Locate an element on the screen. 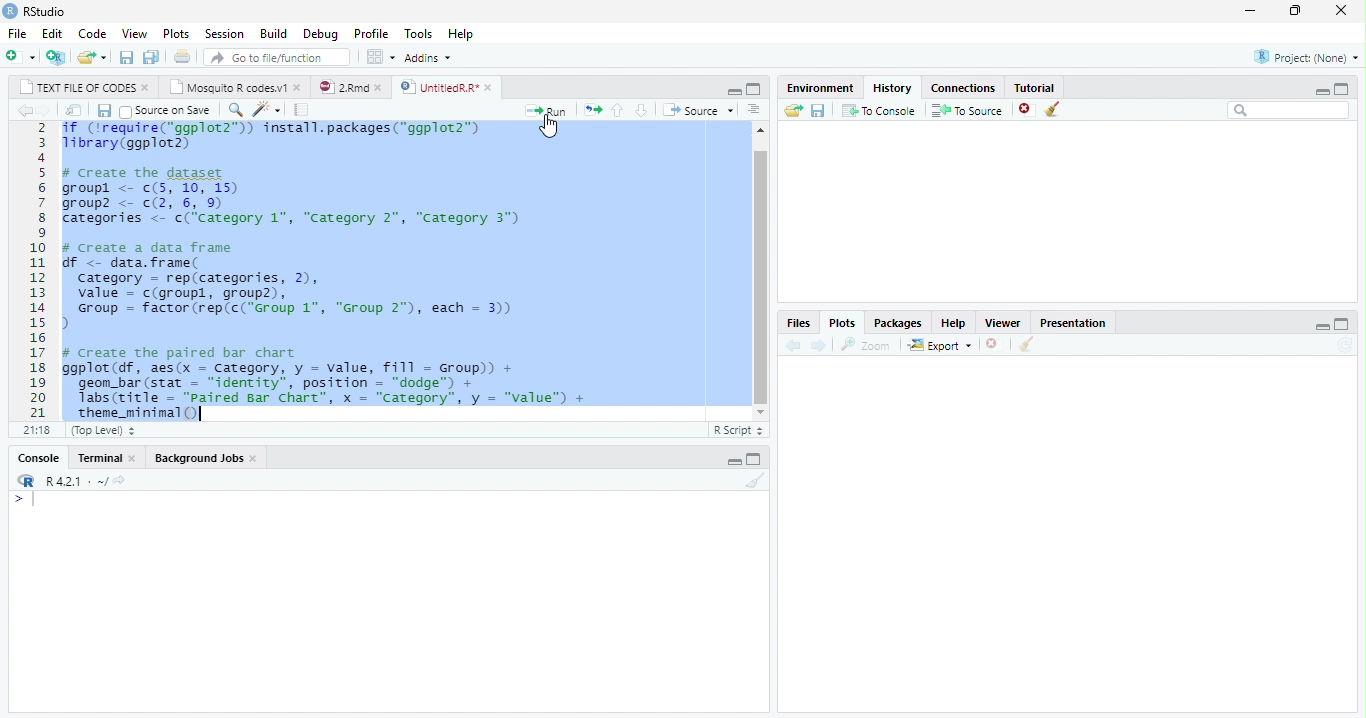  zoom is located at coordinates (867, 344).